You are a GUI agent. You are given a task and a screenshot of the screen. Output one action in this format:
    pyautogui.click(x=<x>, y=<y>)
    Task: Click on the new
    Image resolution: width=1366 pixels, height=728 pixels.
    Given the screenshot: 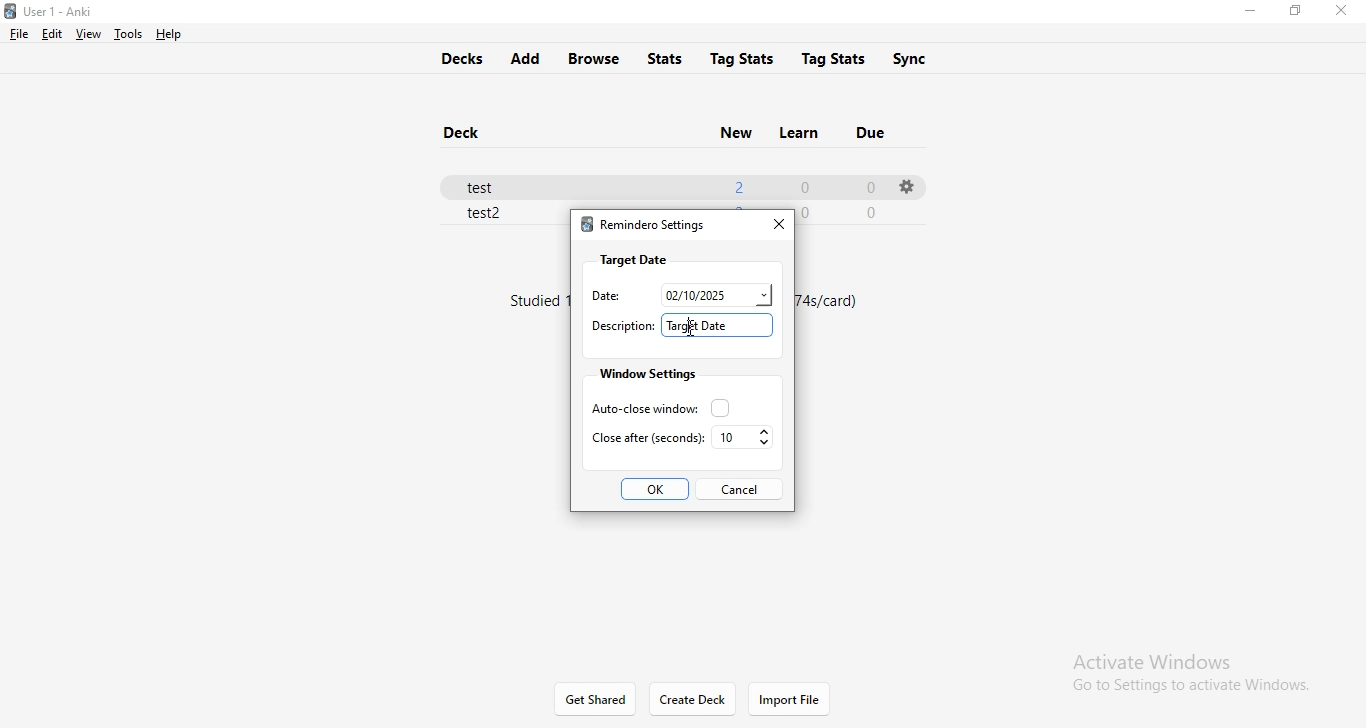 What is the action you would take?
    pyautogui.click(x=734, y=131)
    